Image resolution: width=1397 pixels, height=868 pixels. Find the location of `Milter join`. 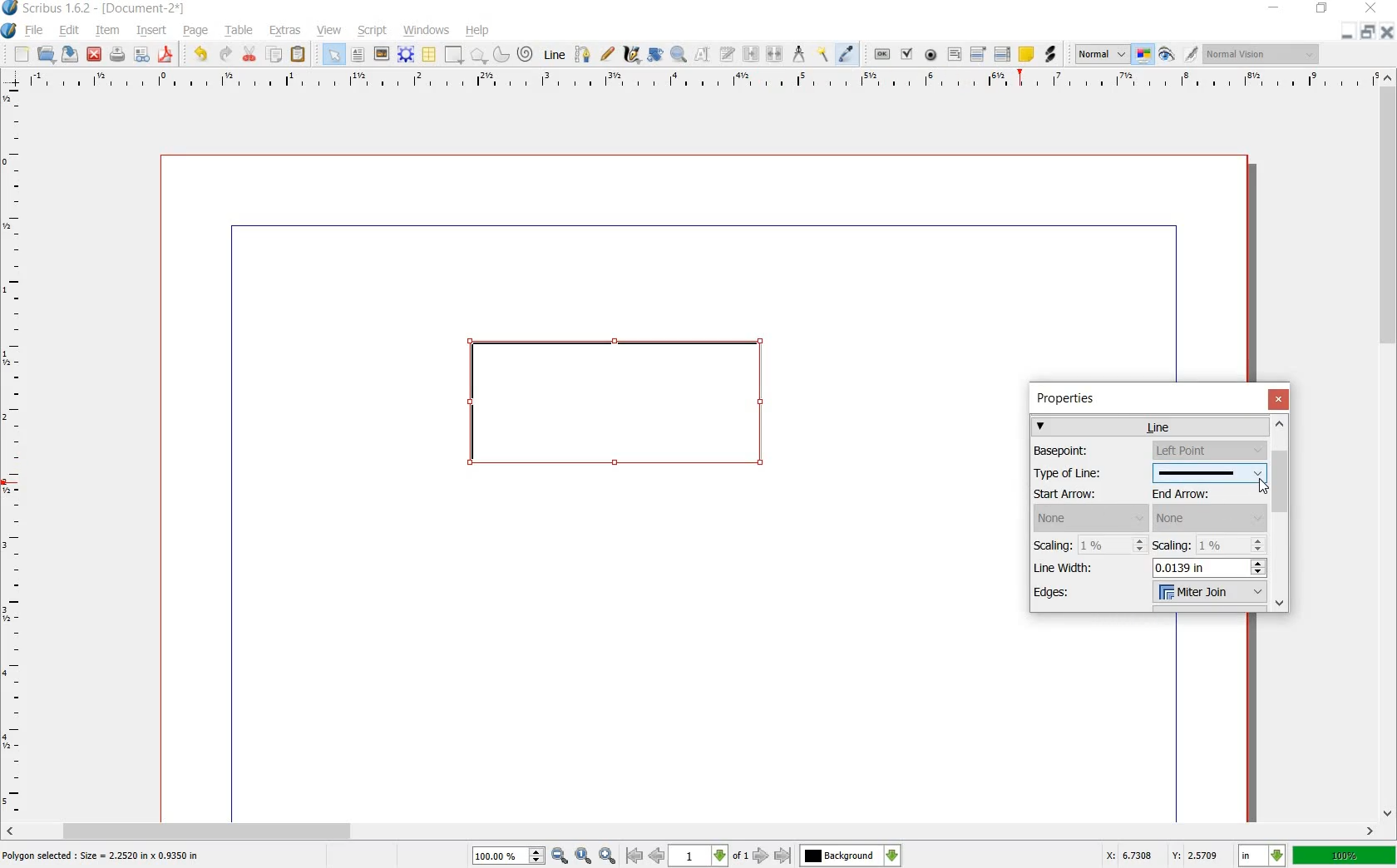

Milter join is located at coordinates (1208, 594).